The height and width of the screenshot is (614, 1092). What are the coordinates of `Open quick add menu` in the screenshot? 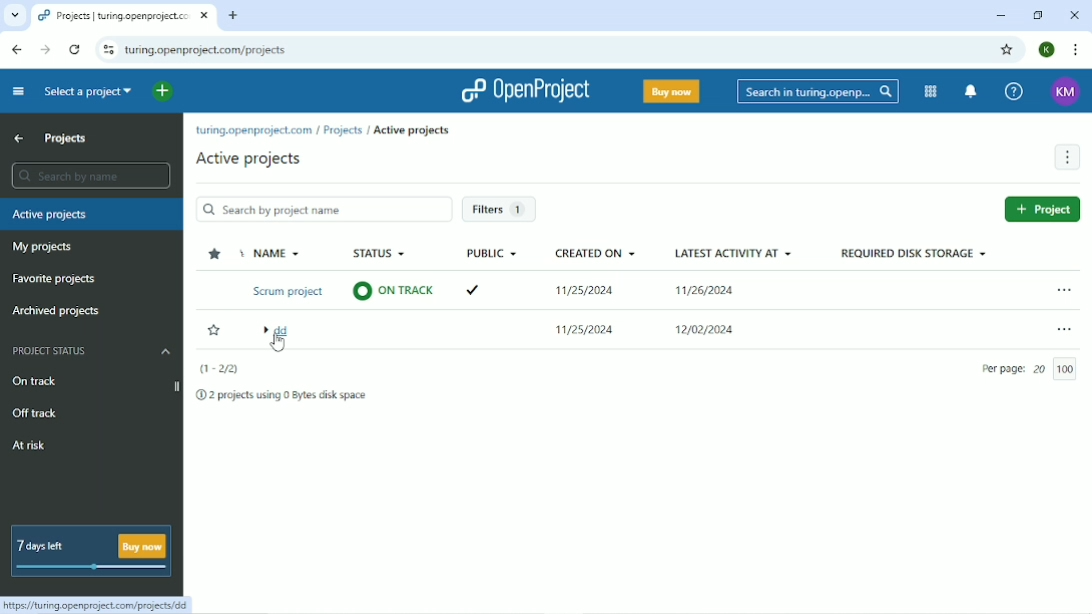 It's located at (162, 93).